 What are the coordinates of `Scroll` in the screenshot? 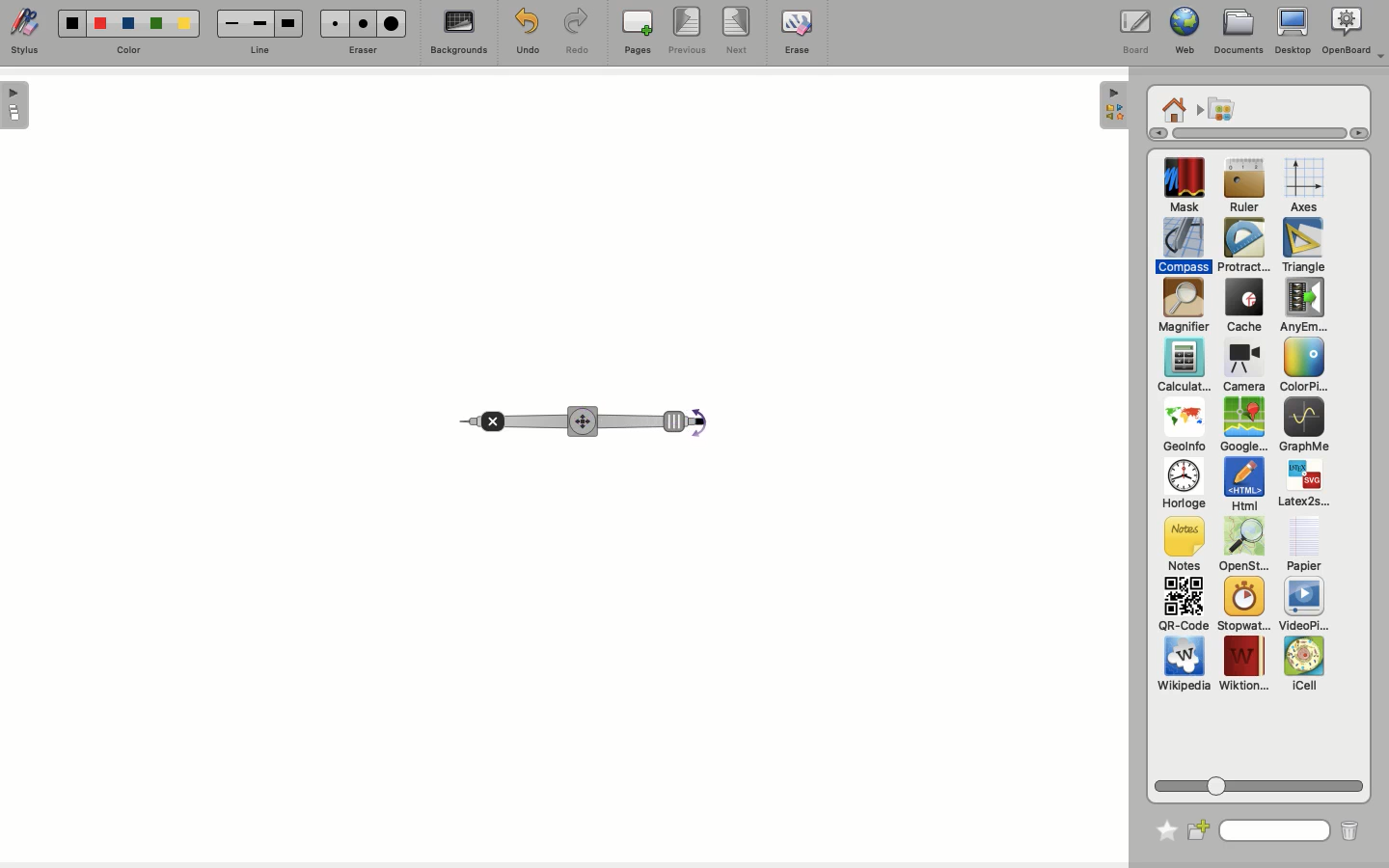 It's located at (1262, 782).